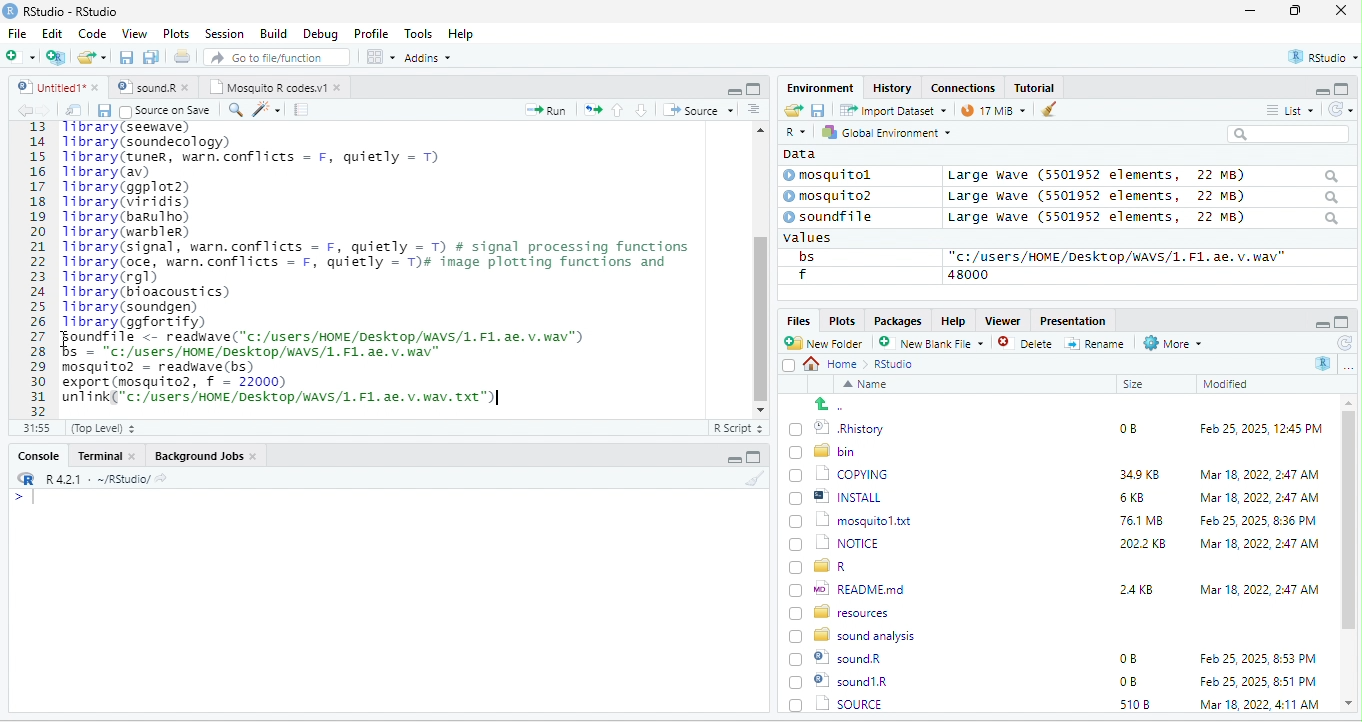 The height and width of the screenshot is (722, 1362). Describe the element at coordinates (953, 319) in the screenshot. I see `Help` at that location.